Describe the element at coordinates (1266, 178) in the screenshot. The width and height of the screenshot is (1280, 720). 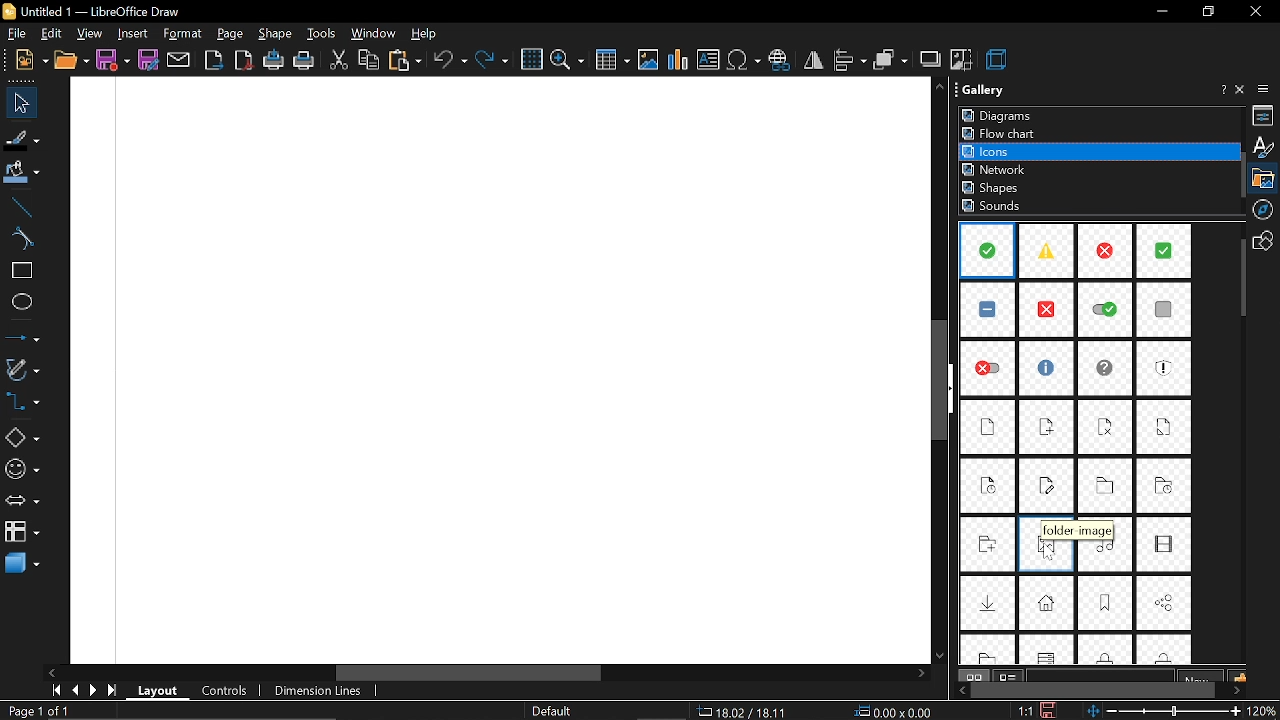
I see `gallery` at that location.